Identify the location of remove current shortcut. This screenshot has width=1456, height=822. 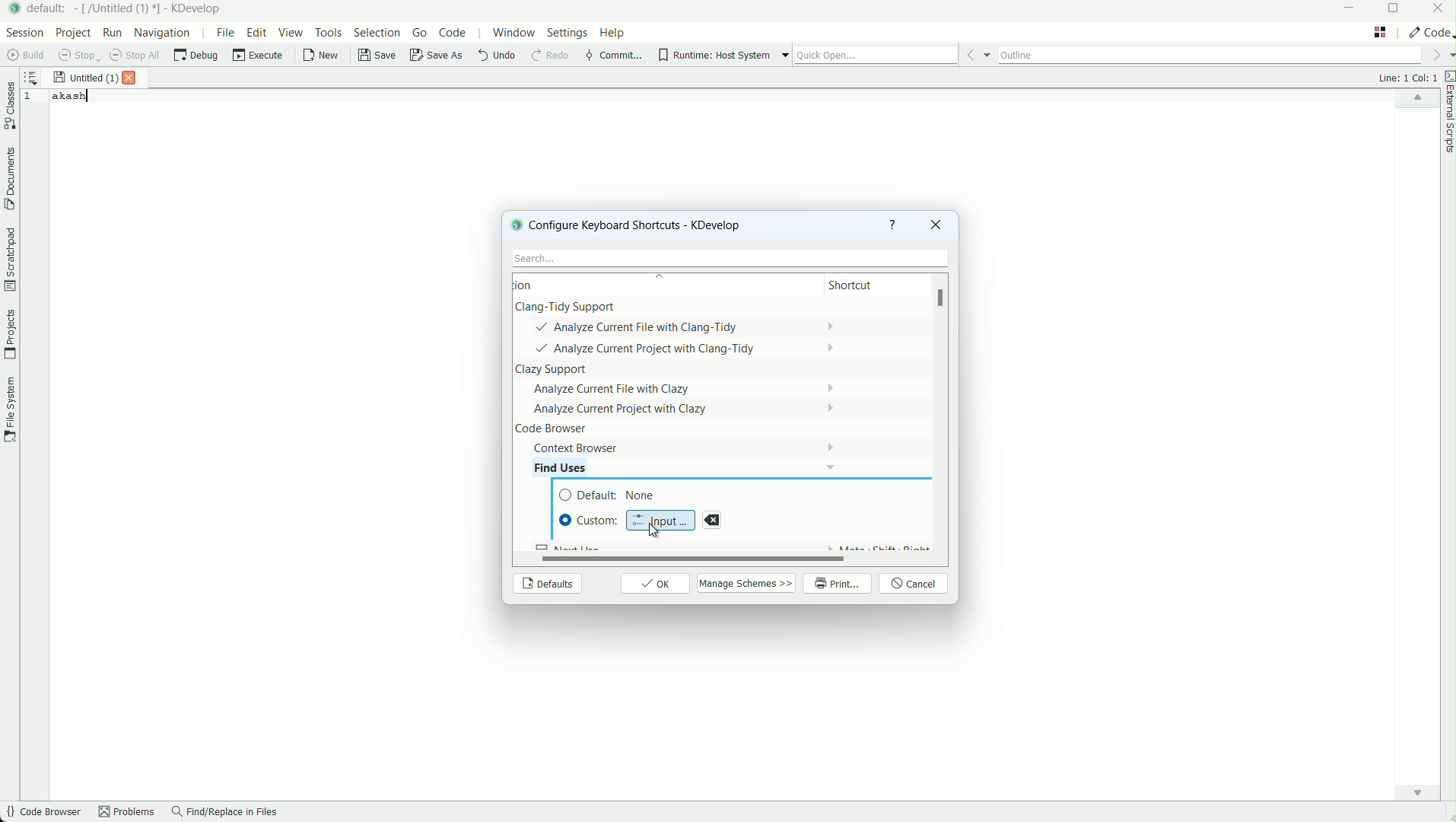
(712, 520).